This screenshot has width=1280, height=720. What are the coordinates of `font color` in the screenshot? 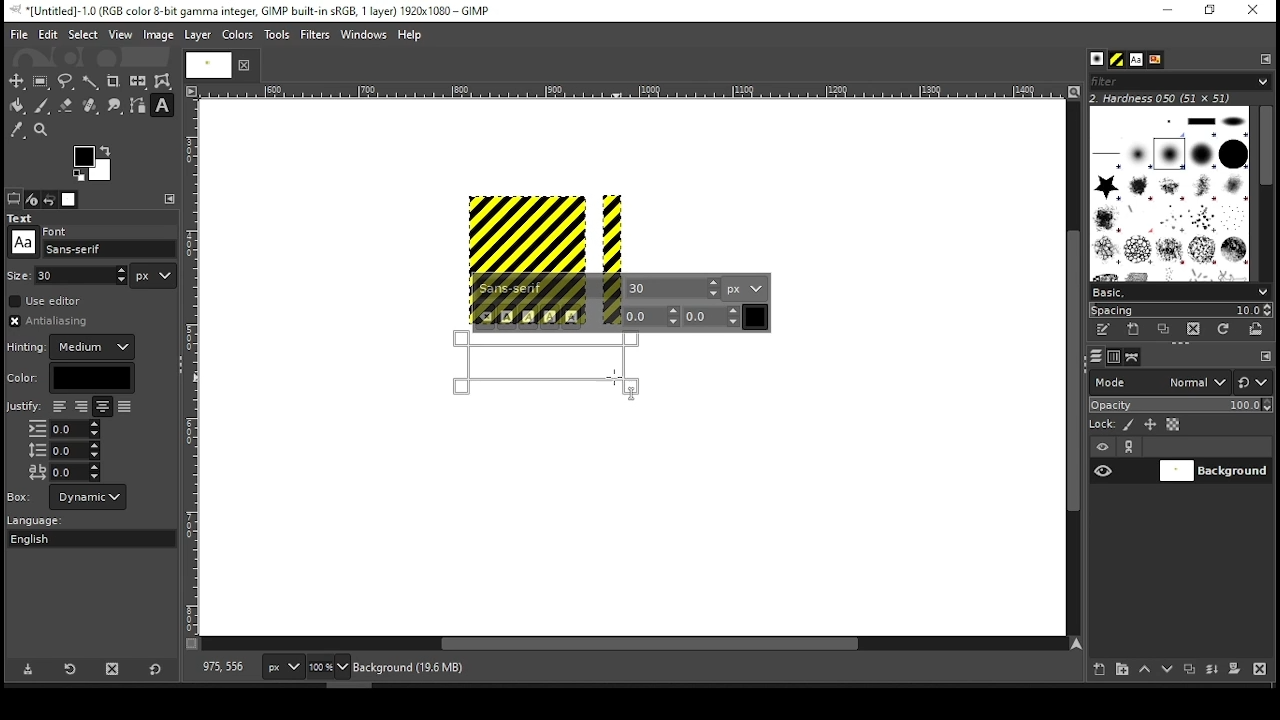 It's located at (756, 317).